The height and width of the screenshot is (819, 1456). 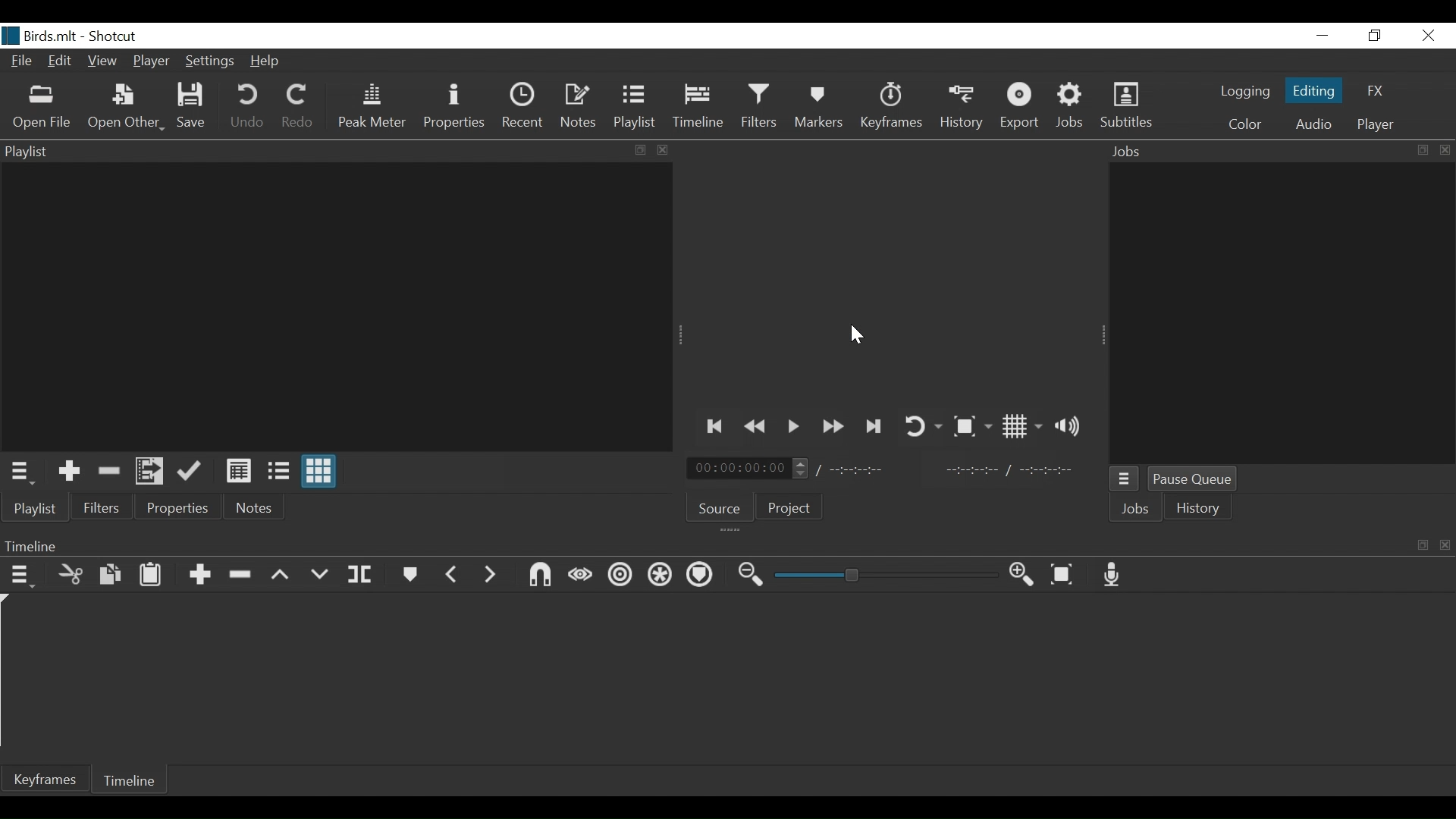 What do you see at coordinates (1376, 35) in the screenshot?
I see `Restore` at bounding box center [1376, 35].